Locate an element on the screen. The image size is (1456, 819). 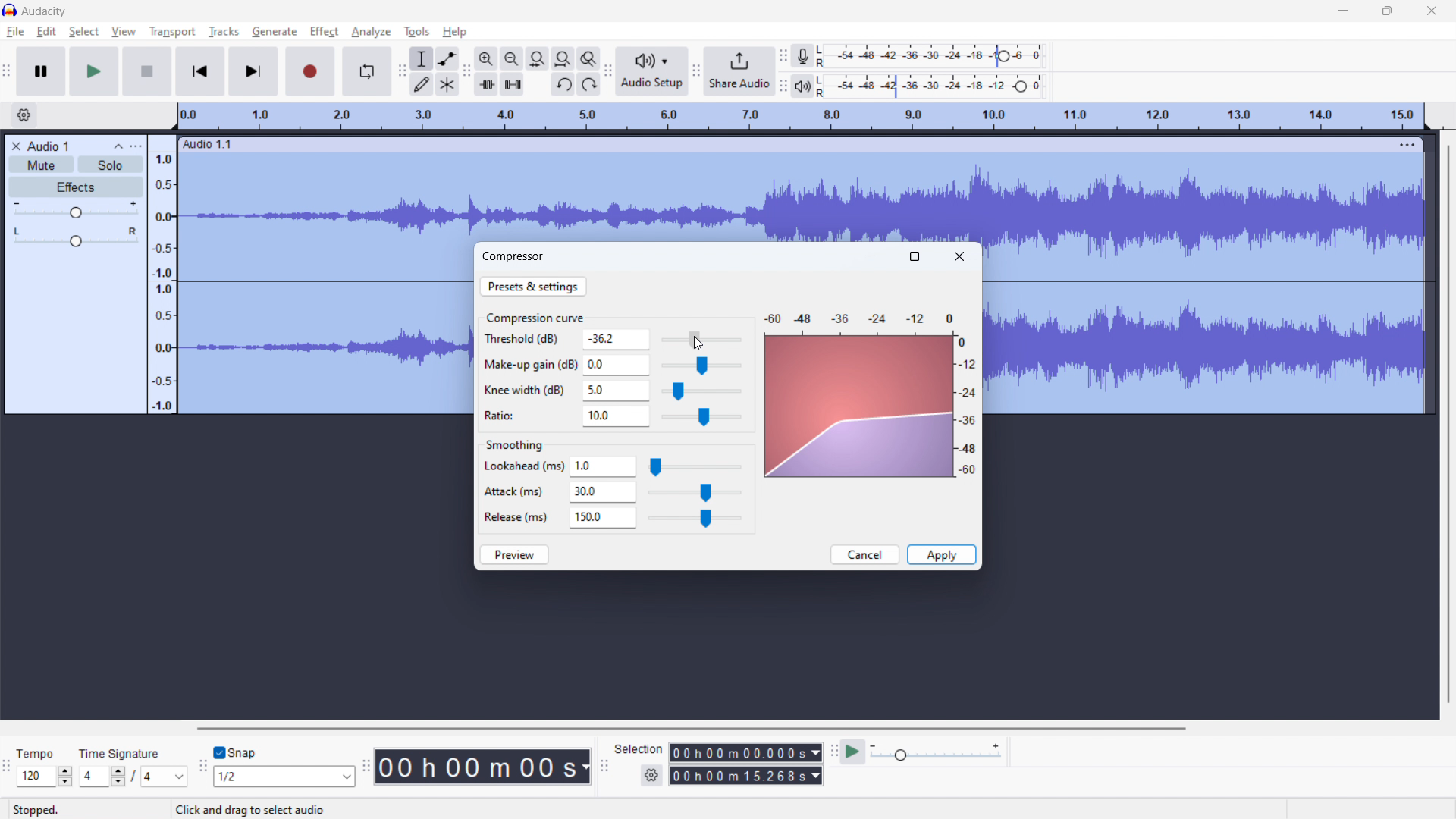
compressor is located at coordinates (514, 256).